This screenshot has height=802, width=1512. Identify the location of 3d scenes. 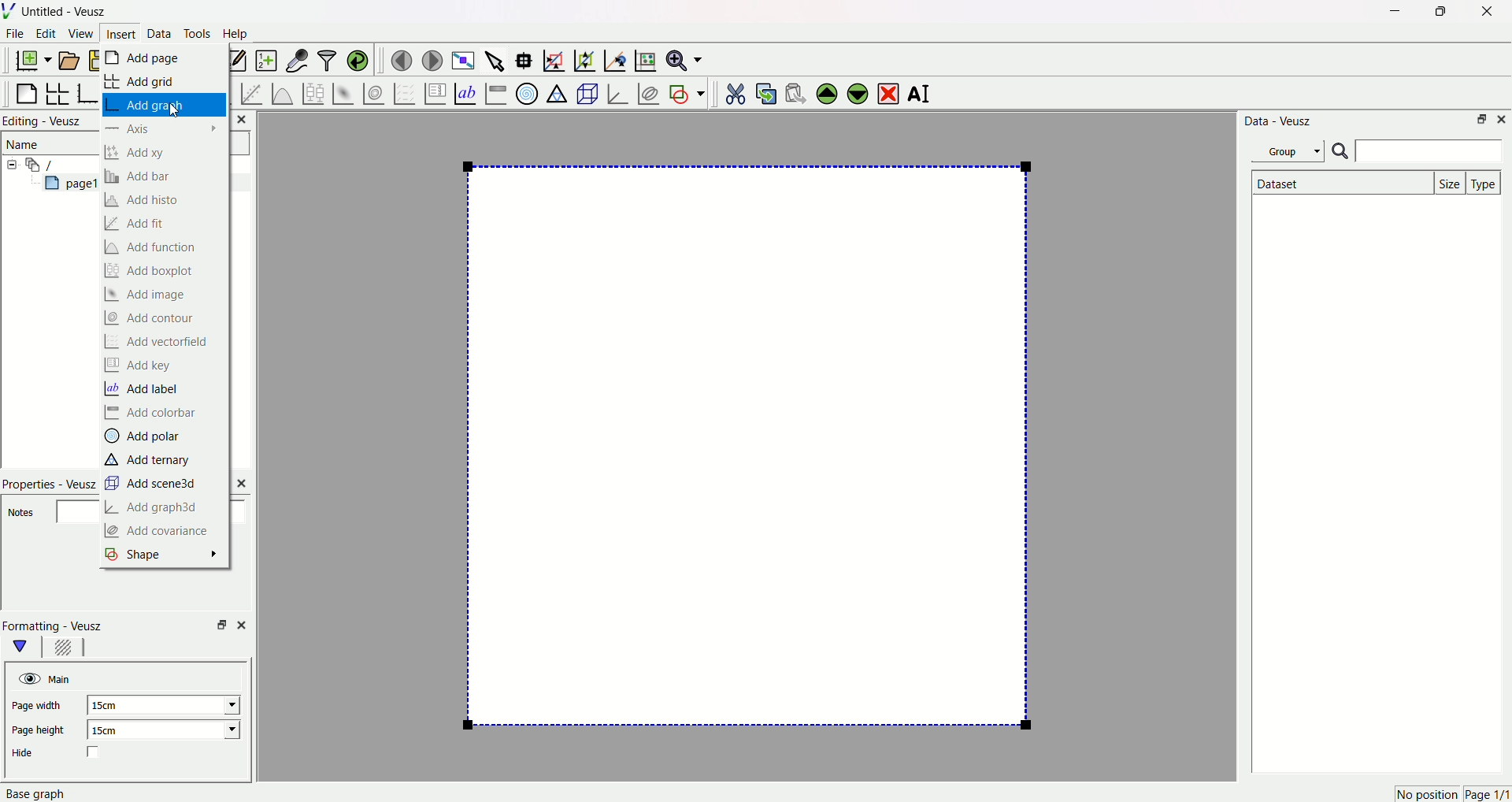
(586, 93).